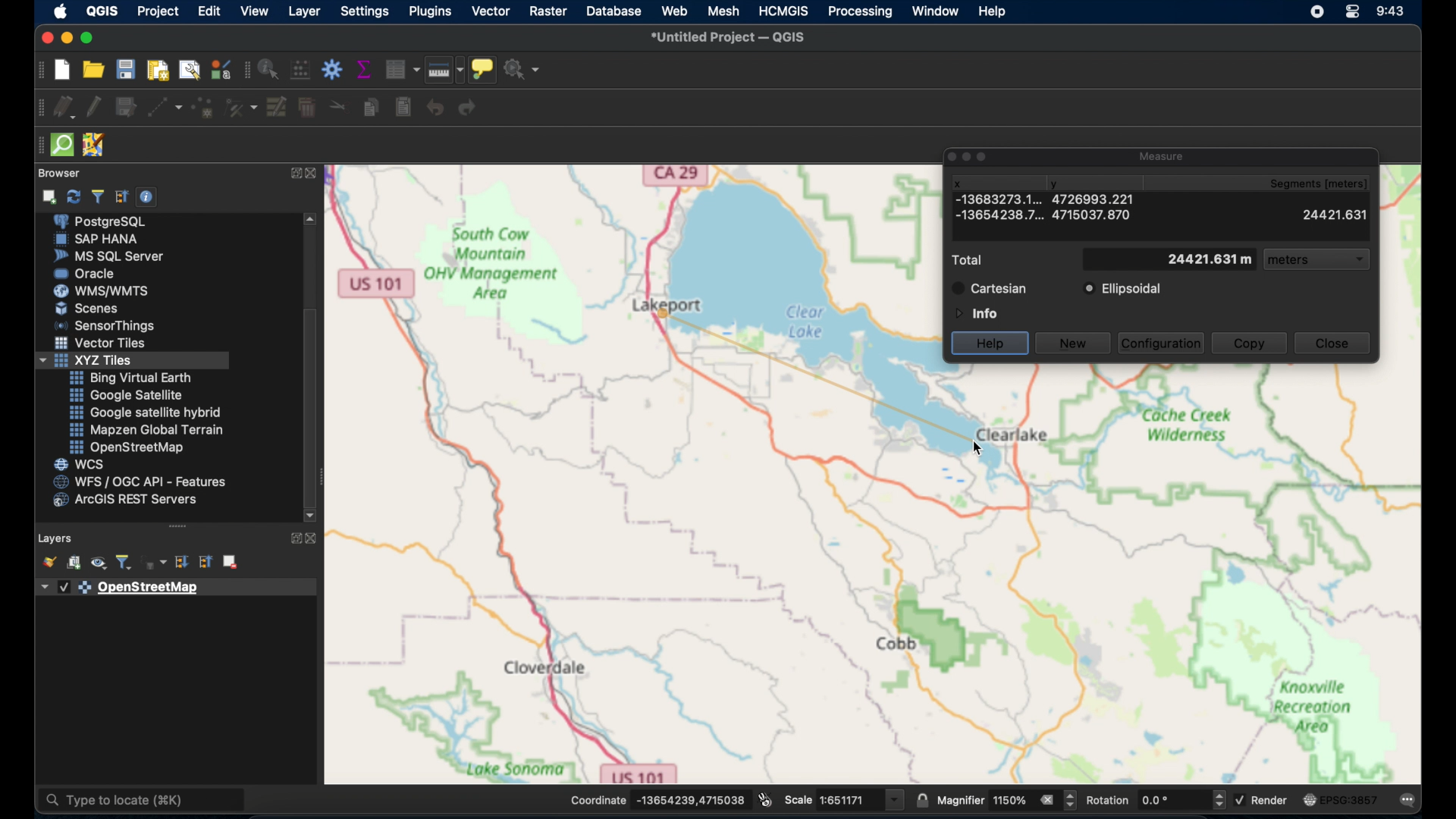 Image resolution: width=1456 pixels, height=819 pixels. Describe the element at coordinates (126, 563) in the screenshot. I see `filter legend` at that location.